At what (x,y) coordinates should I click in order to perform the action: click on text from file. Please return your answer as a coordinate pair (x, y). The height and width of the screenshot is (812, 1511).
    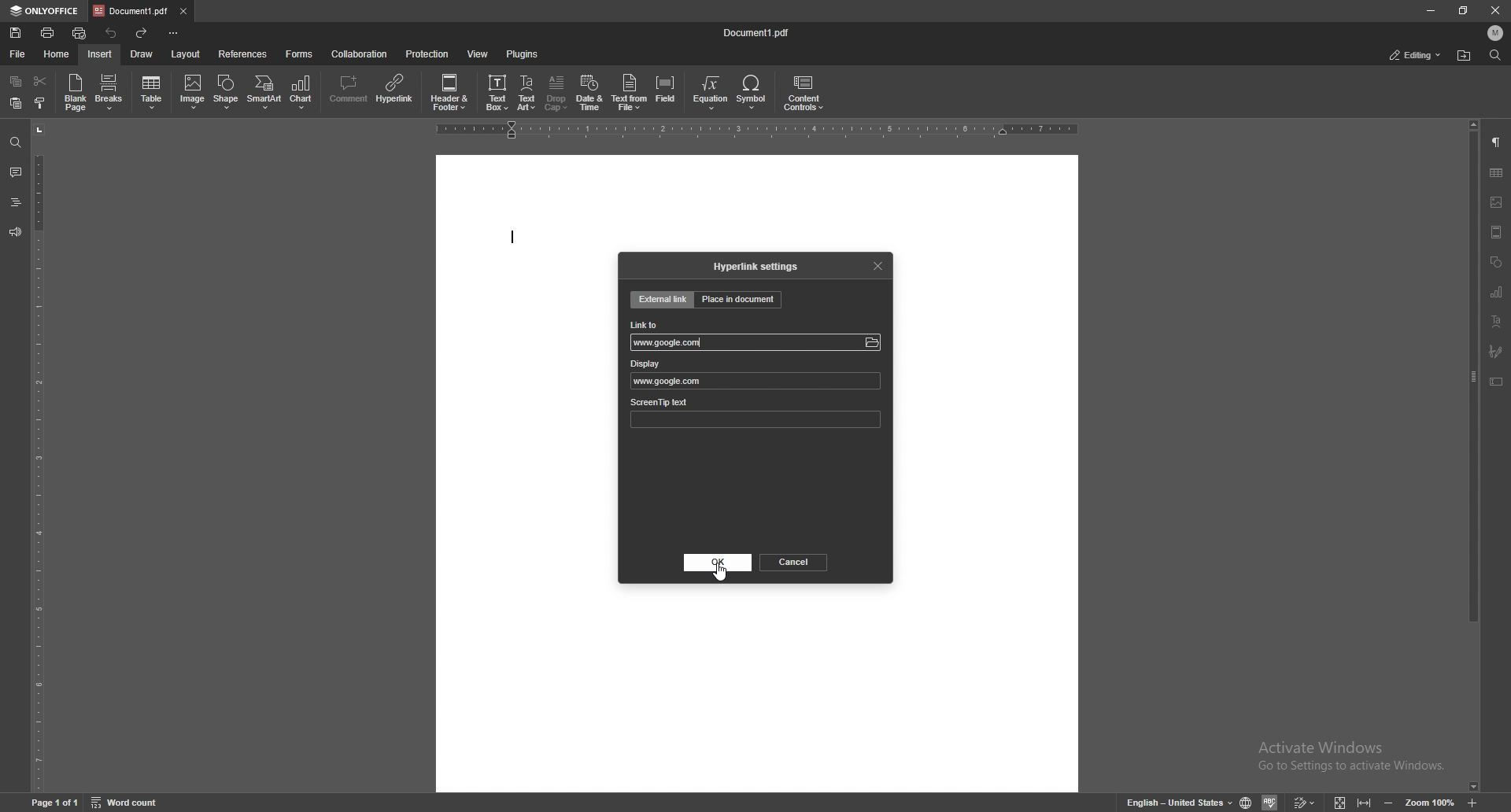
    Looking at the image, I should click on (630, 93).